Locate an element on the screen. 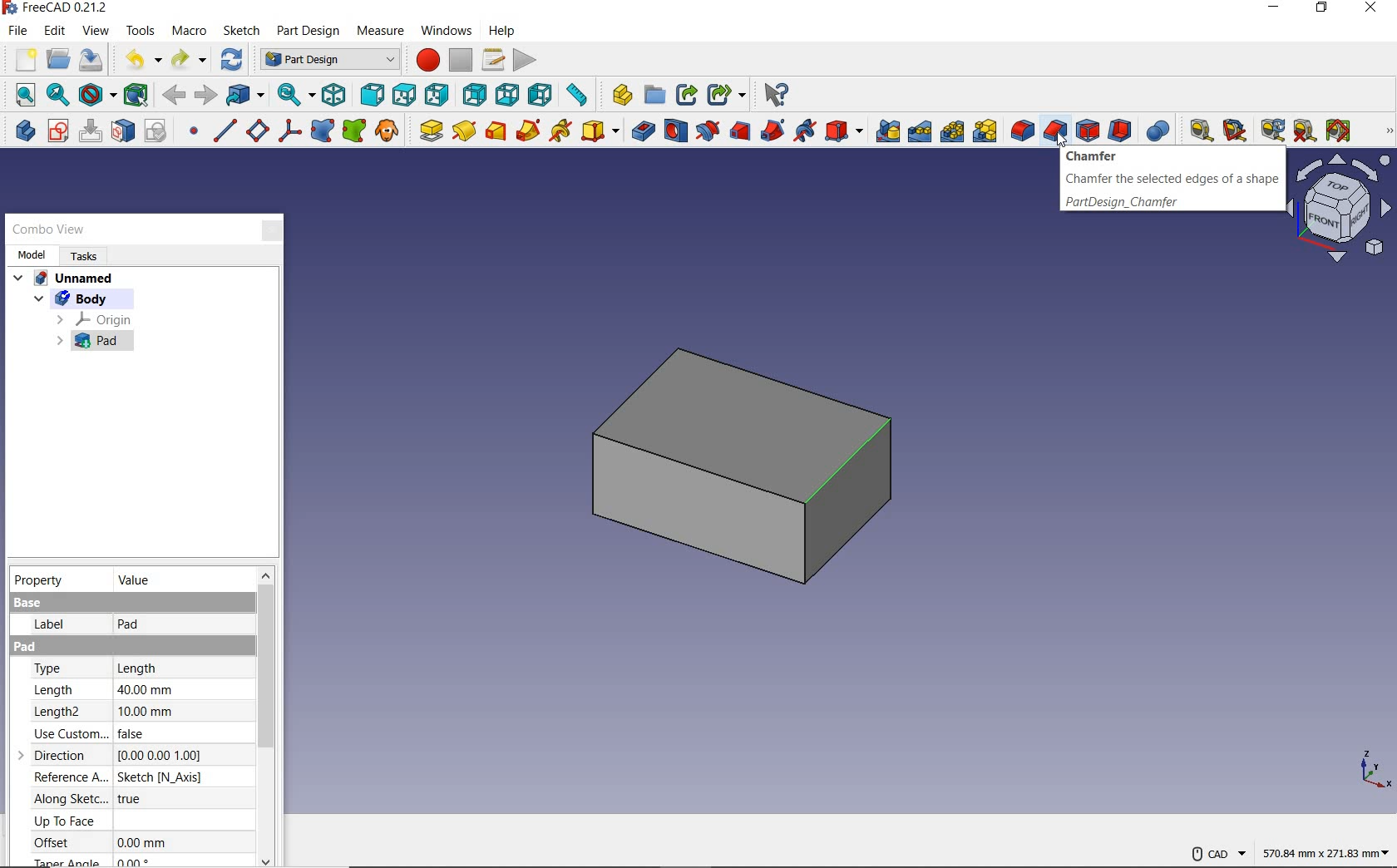 The height and width of the screenshot is (868, 1397). new is located at coordinates (21, 59).